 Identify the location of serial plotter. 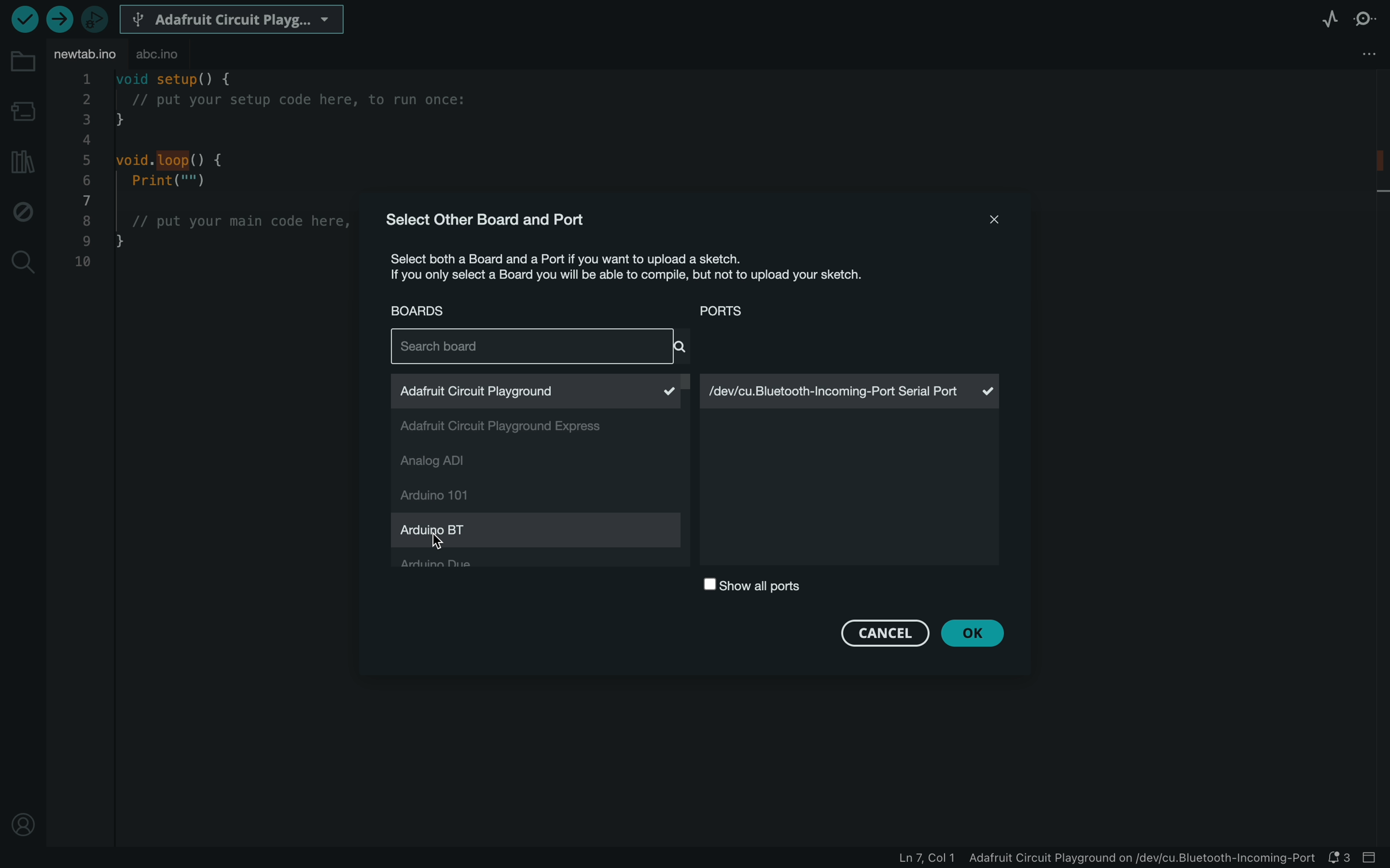
(1328, 19).